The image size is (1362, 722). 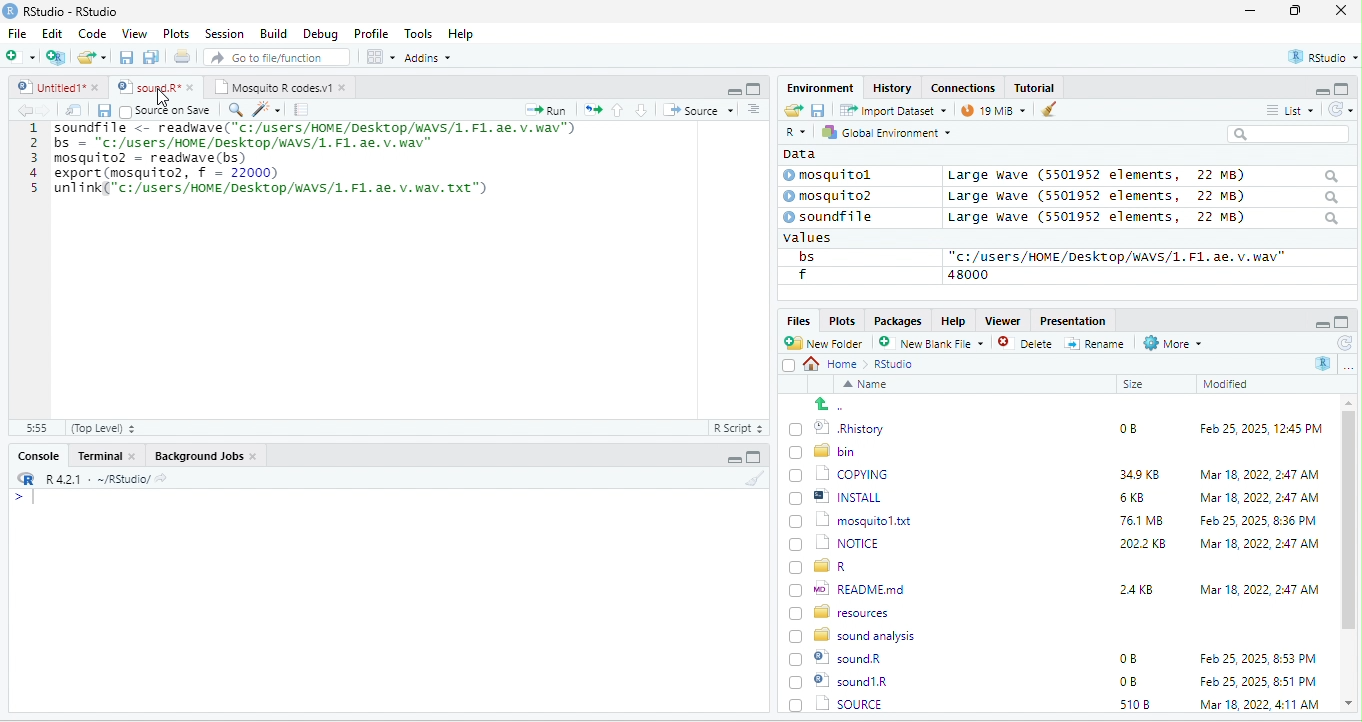 I want to click on (Top Level) +, so click(x=103, y=428).